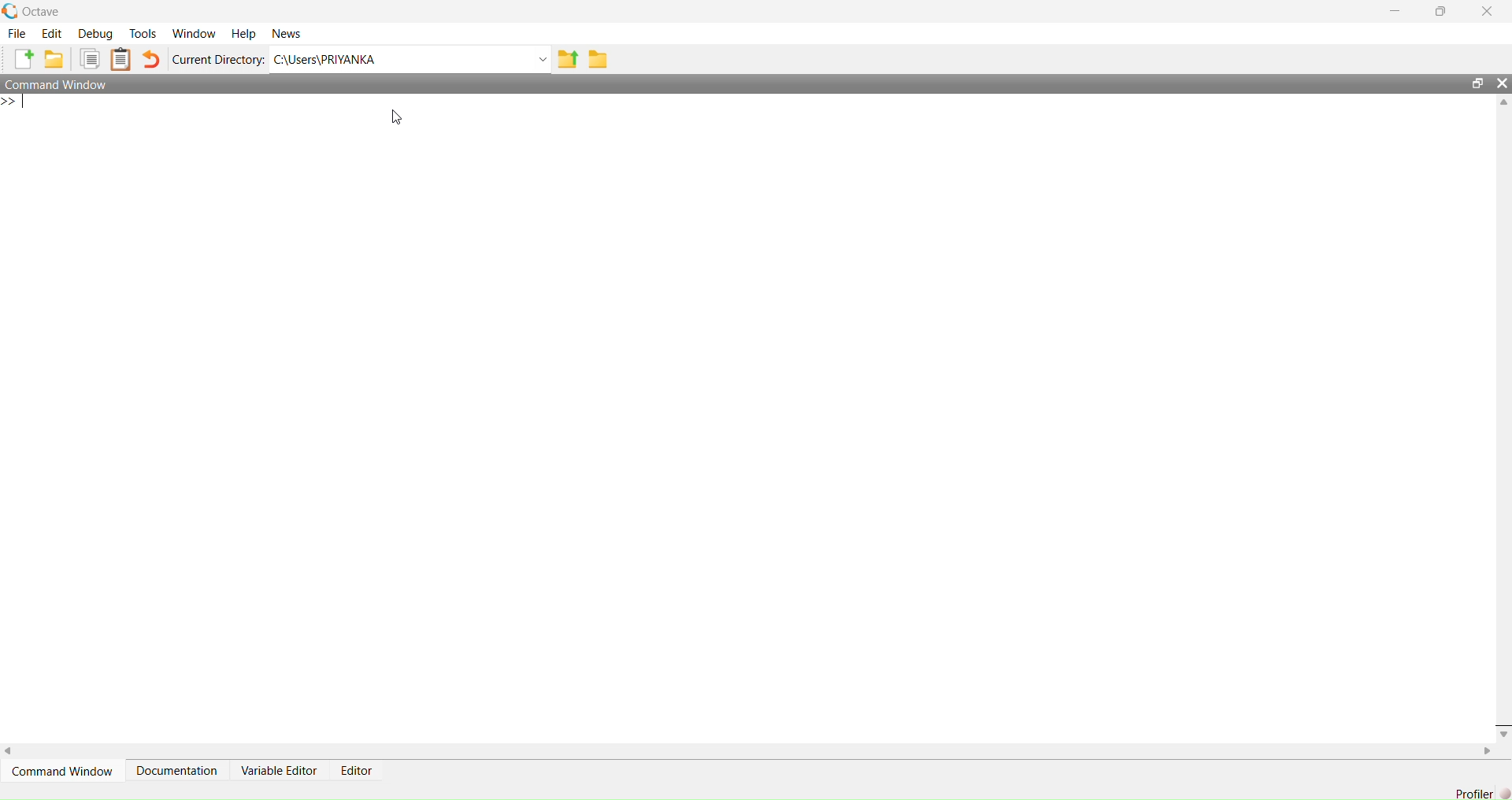  What do you see at coordinates (279, 770) in the screenshot?
I see `Variable Editor` at bounding box center [279, 770].